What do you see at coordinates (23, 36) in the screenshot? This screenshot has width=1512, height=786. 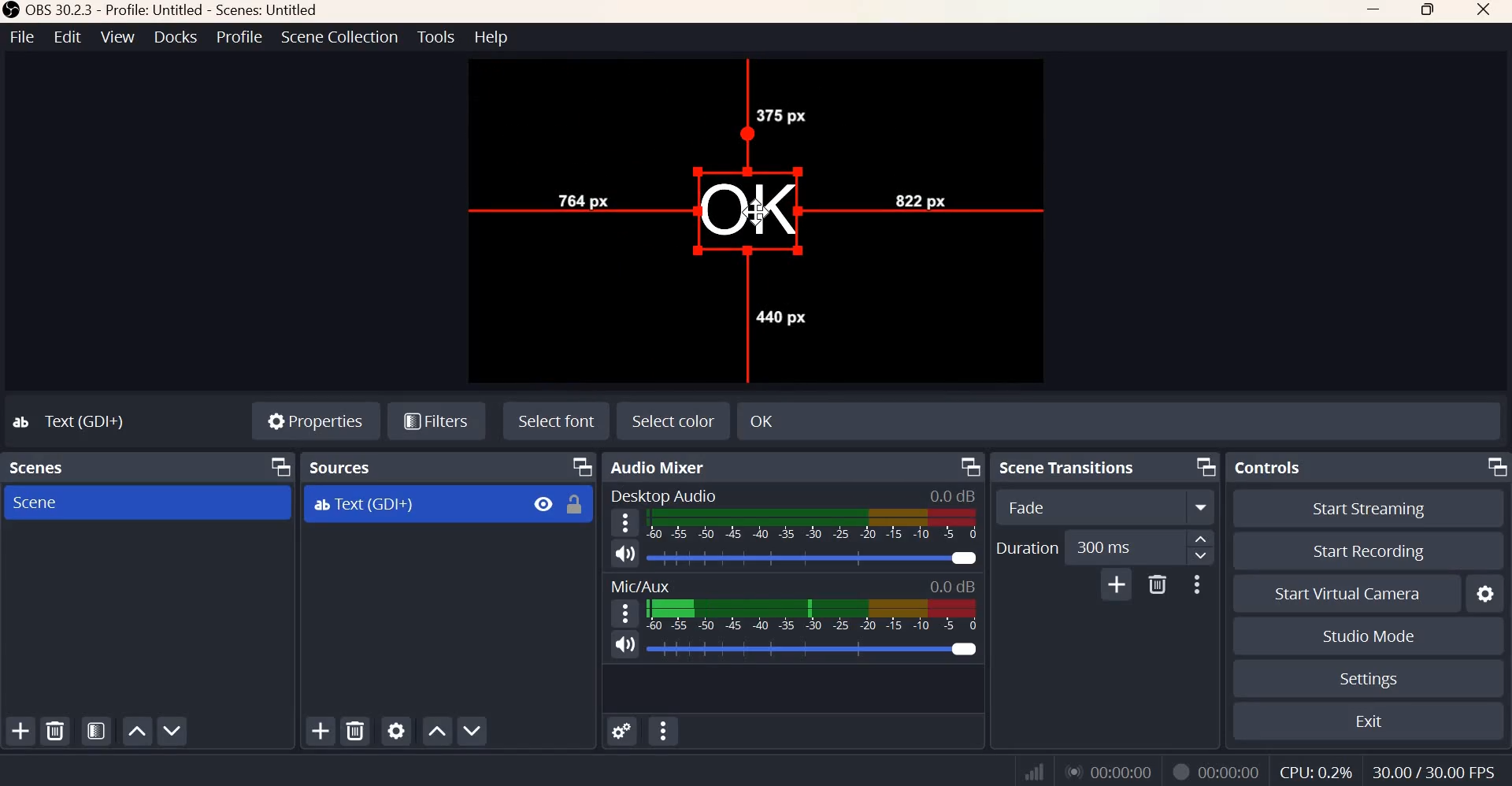 I see `File` at bounding box center [23, 36].